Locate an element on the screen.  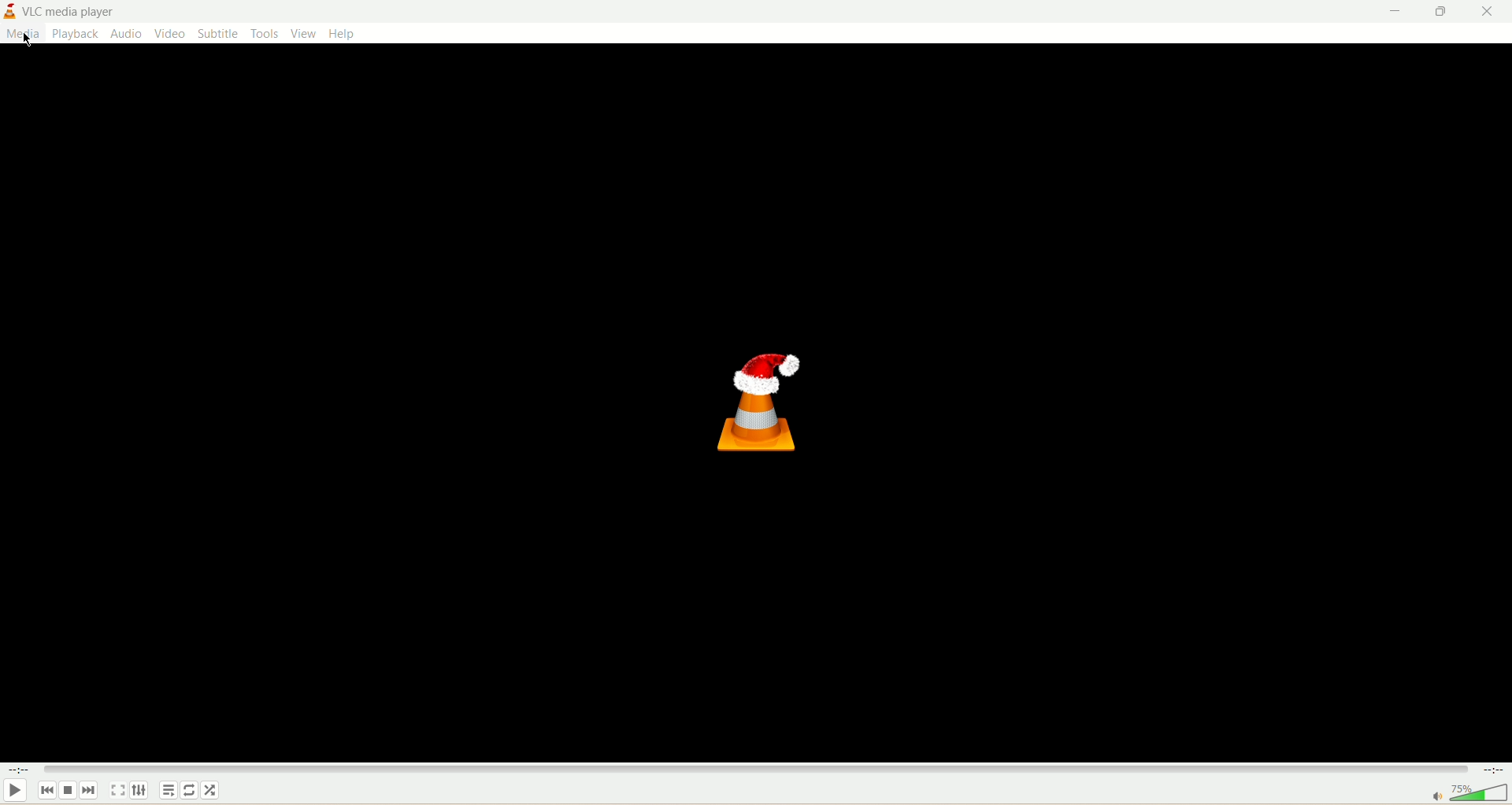
toggle video fullscreen is located at coordinates (120, 791).